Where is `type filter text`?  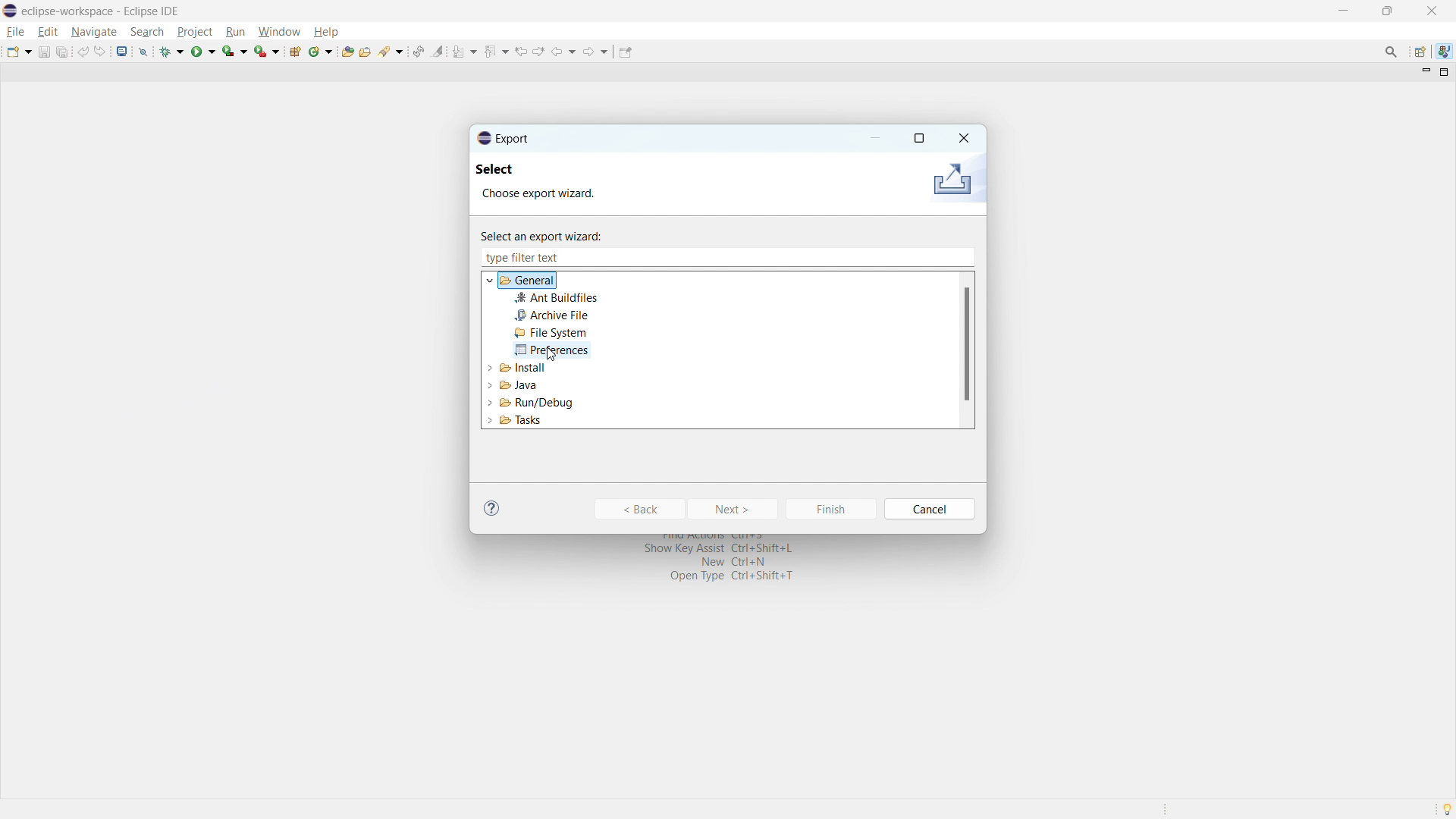 type filter text is located at coordinates (527, 257).